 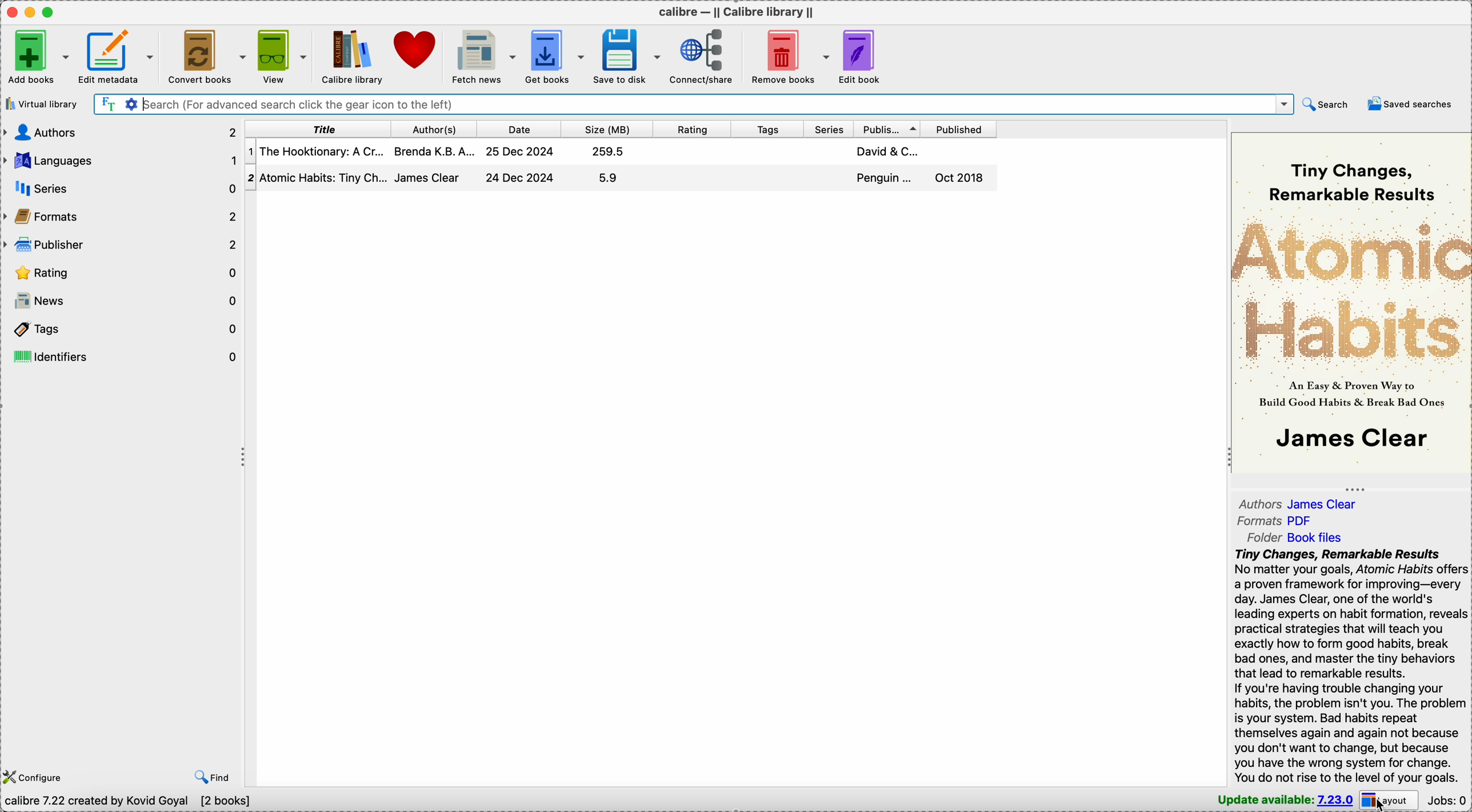 What do you see at coordinates (1351, 182) in the screenshot?
I see `tiny changes, remarkable results` at bounding box center [1351, 182].